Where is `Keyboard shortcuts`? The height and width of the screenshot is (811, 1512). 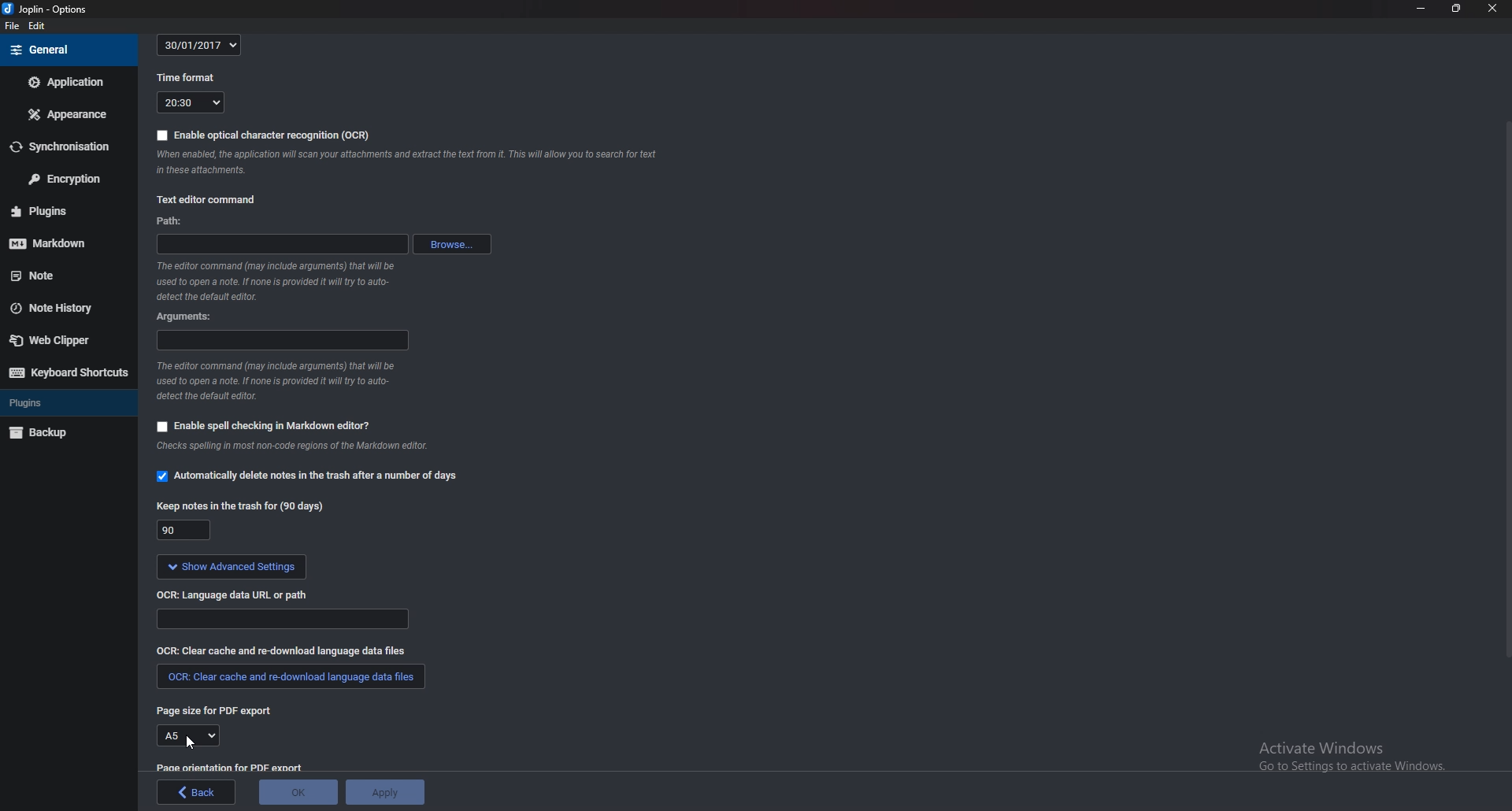
Keyboard shortcuts is located at coordinates (68, 373).